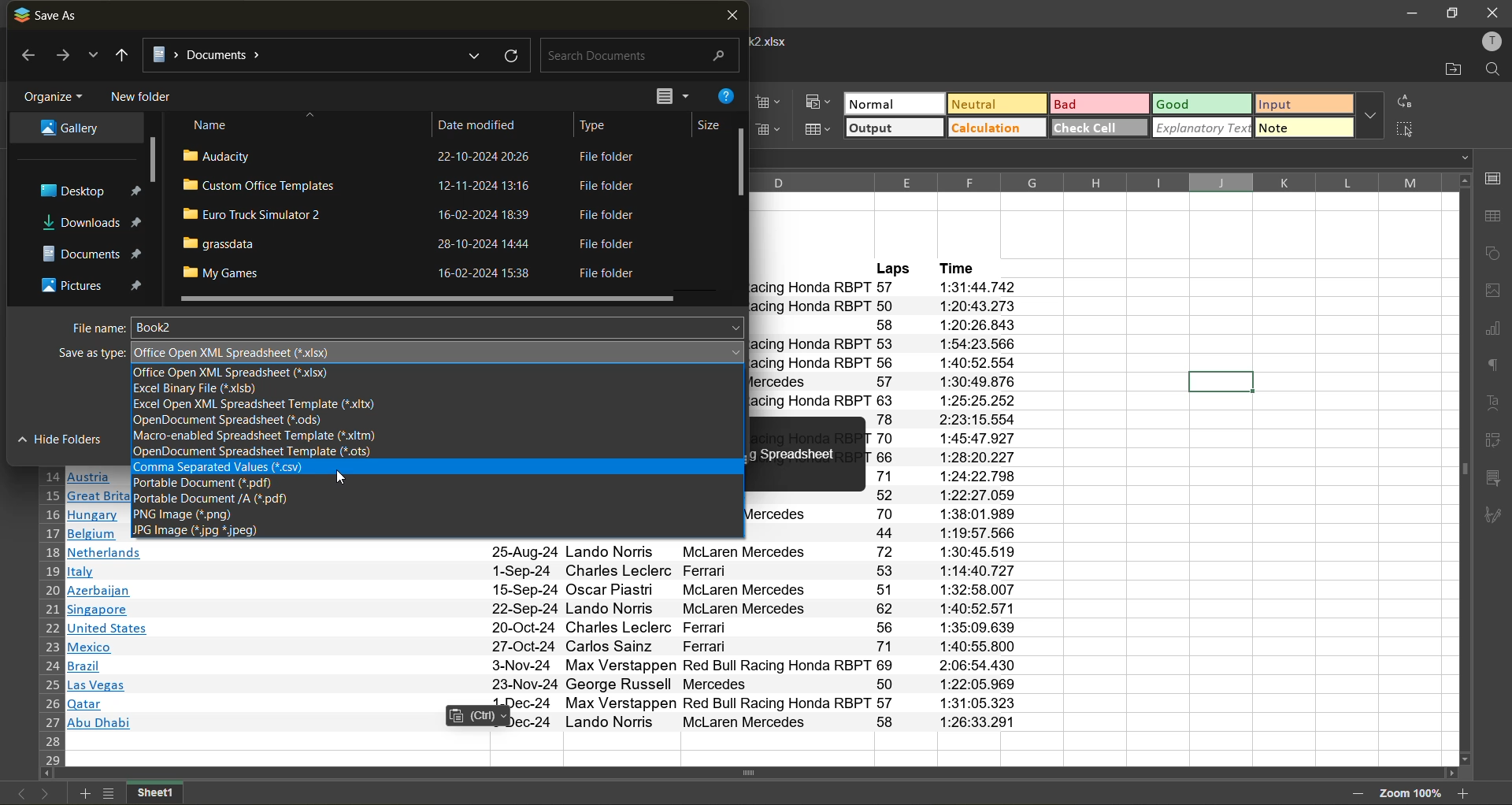 Image resolution: width=1512 pixels, height=805 pixels. I want to click on xltm, so click(265, 436).